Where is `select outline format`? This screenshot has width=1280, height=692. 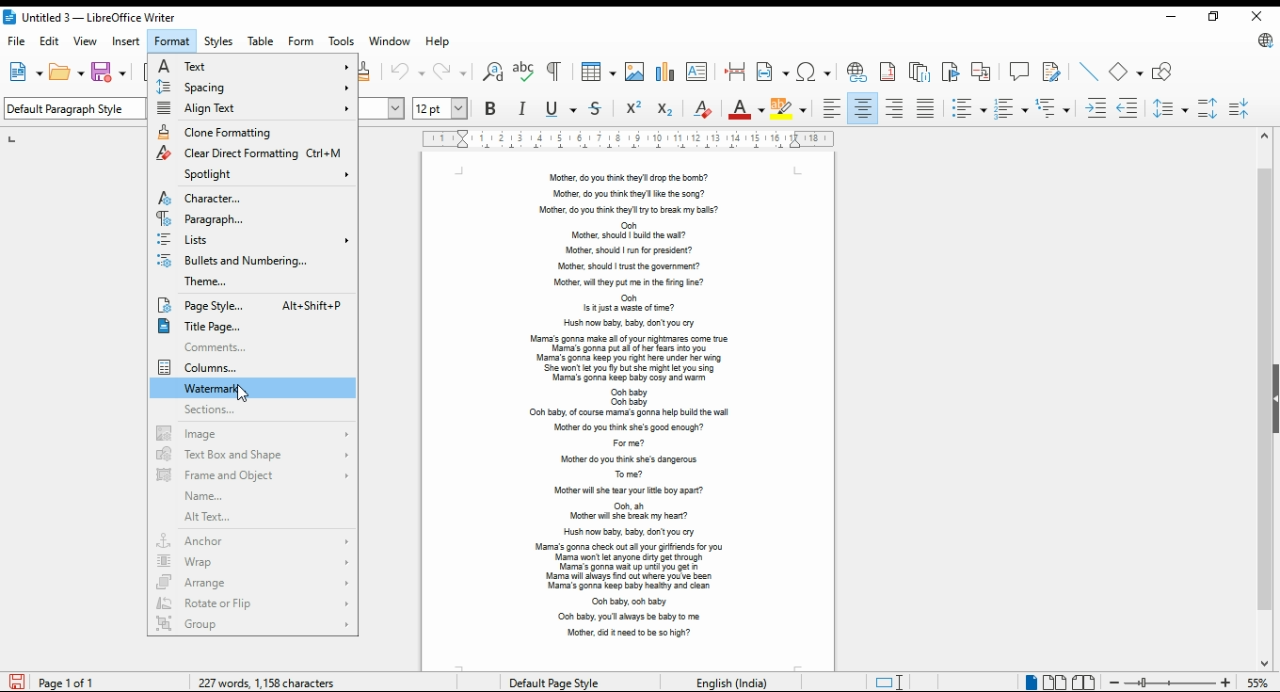 select outline format is located at coordinates (1052, 107).